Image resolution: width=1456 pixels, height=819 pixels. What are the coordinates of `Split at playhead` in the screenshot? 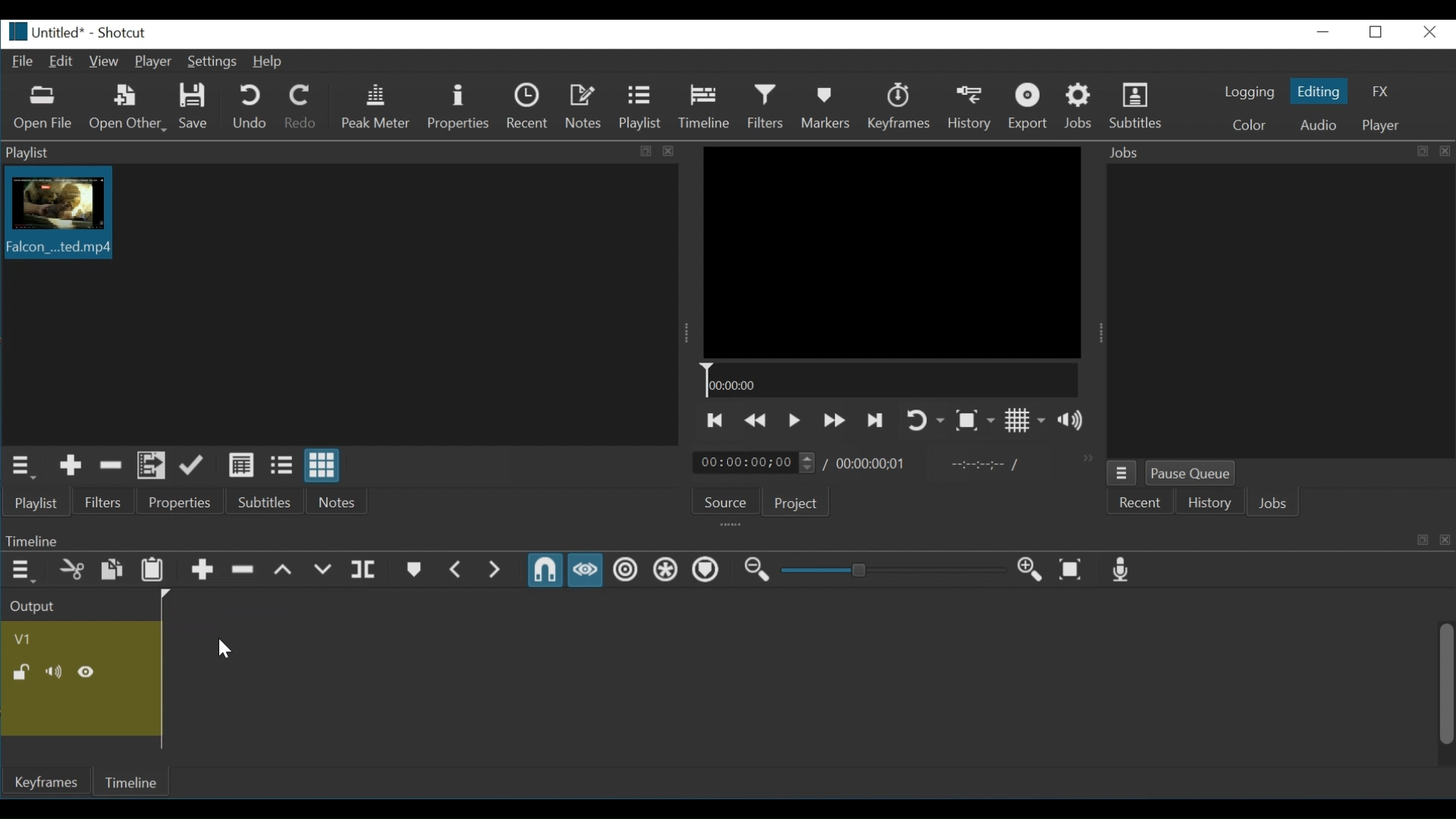 It's located at (366, 570).